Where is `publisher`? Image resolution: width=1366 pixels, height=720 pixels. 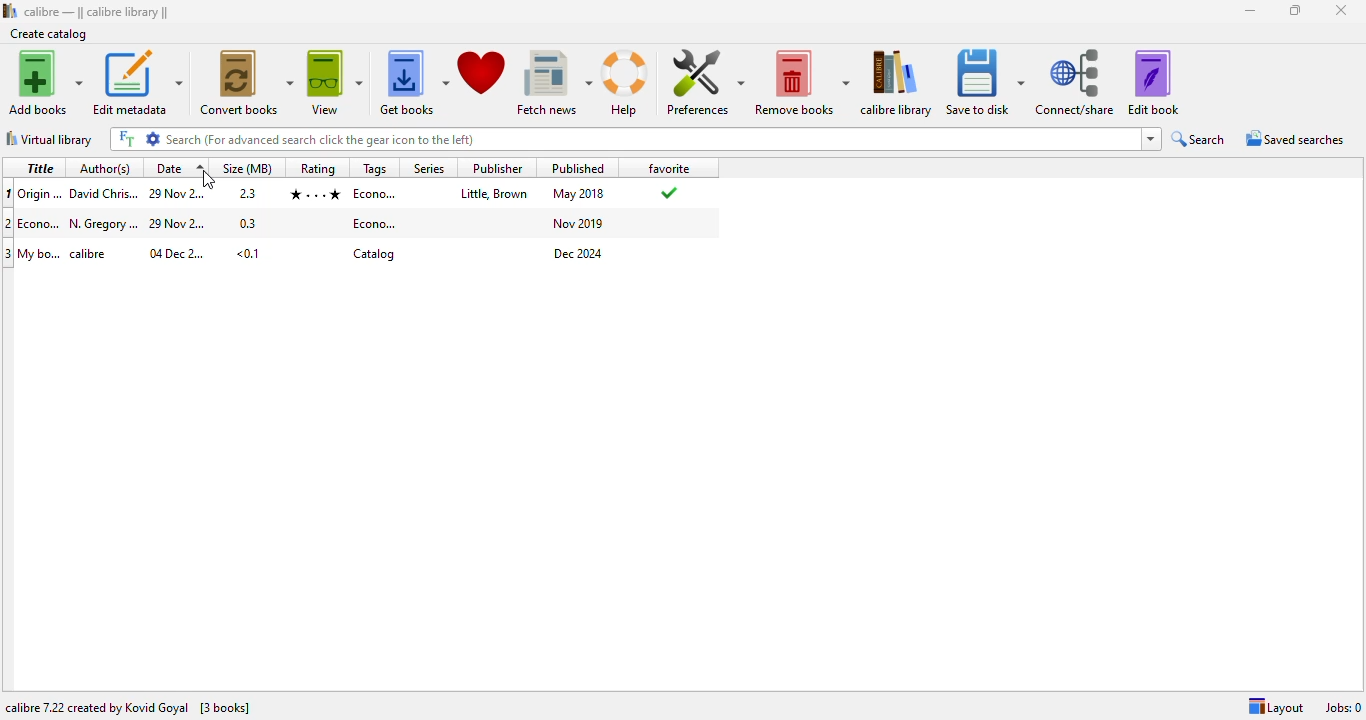 publisher is located at coordinates (498, 167).